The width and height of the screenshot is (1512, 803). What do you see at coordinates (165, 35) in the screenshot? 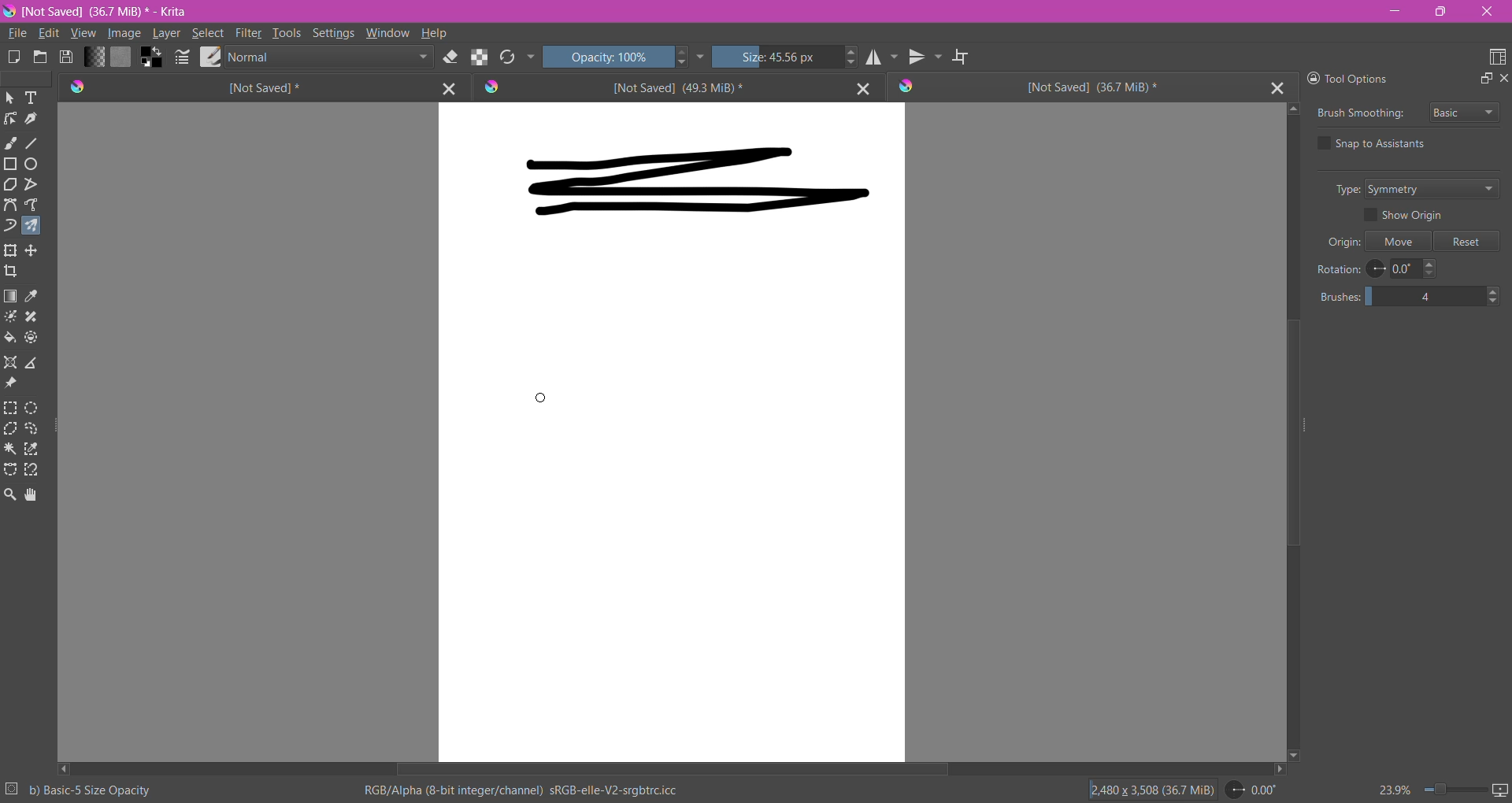
I see `Layer` at bounding box center [165, 35].